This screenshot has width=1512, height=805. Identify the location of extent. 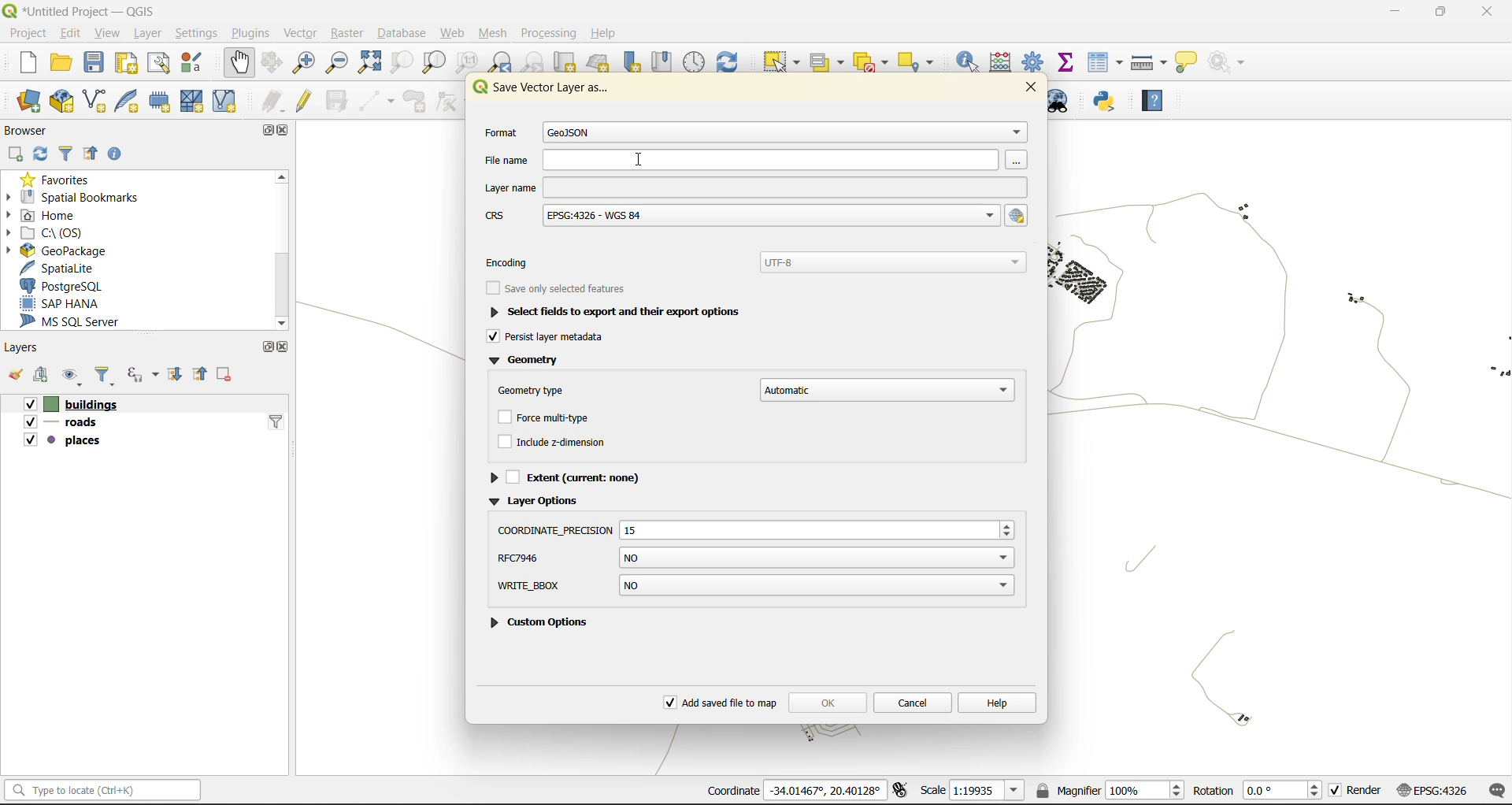
(575, 476).